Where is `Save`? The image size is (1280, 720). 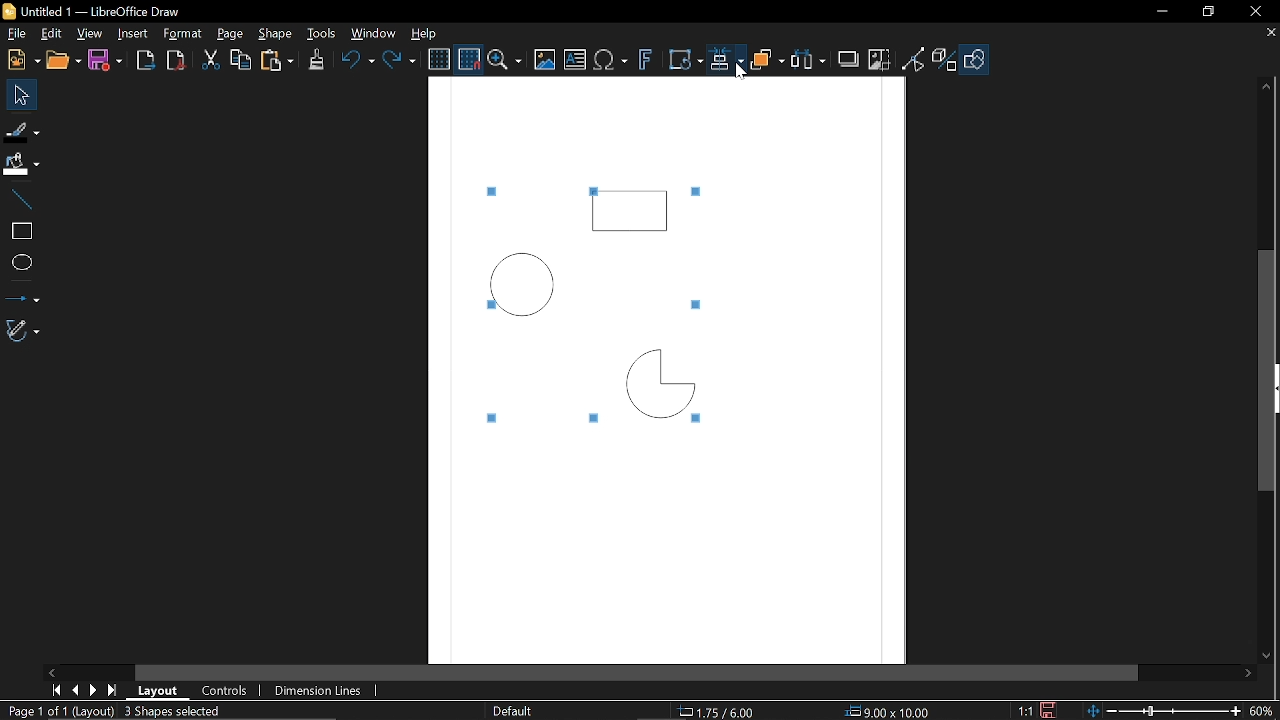
Save is located at coordinates (106, 60).